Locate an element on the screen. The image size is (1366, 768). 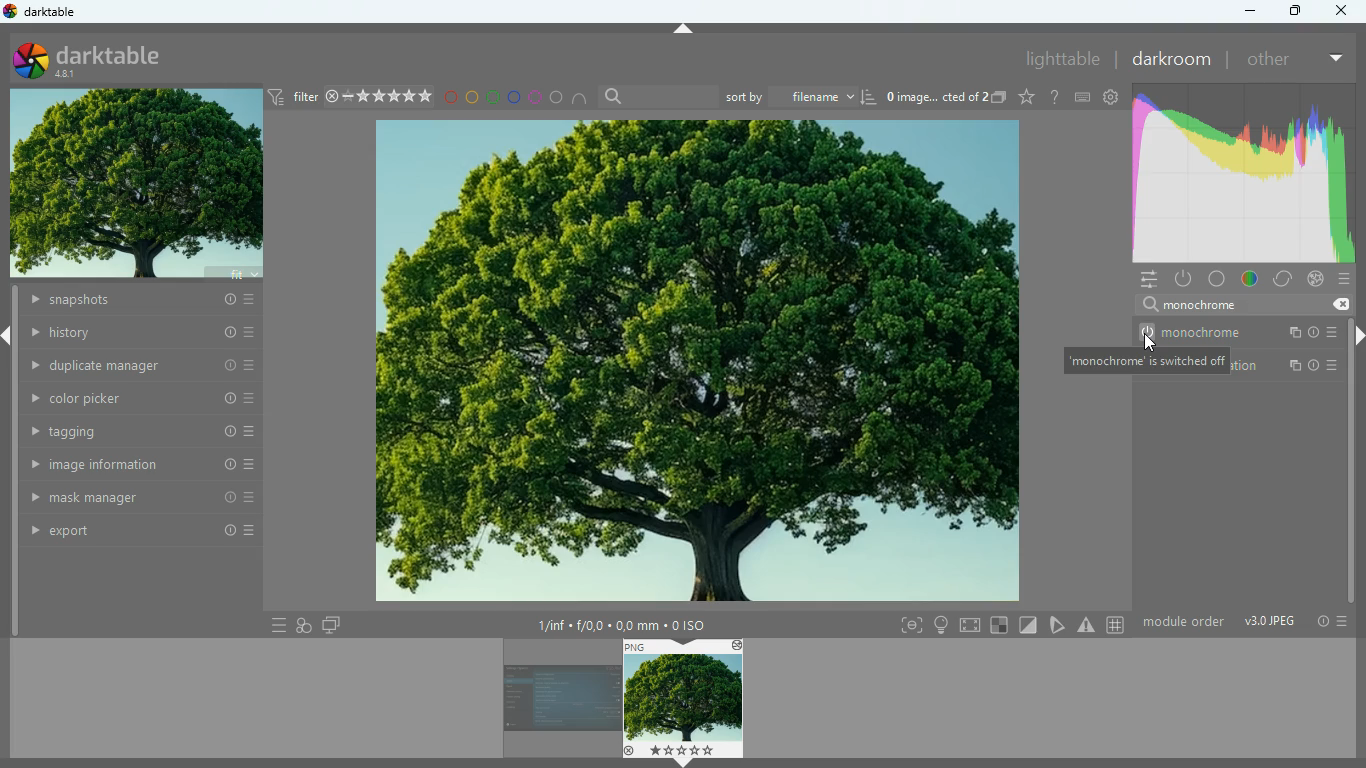
search is located at coordinates (1192, 303).